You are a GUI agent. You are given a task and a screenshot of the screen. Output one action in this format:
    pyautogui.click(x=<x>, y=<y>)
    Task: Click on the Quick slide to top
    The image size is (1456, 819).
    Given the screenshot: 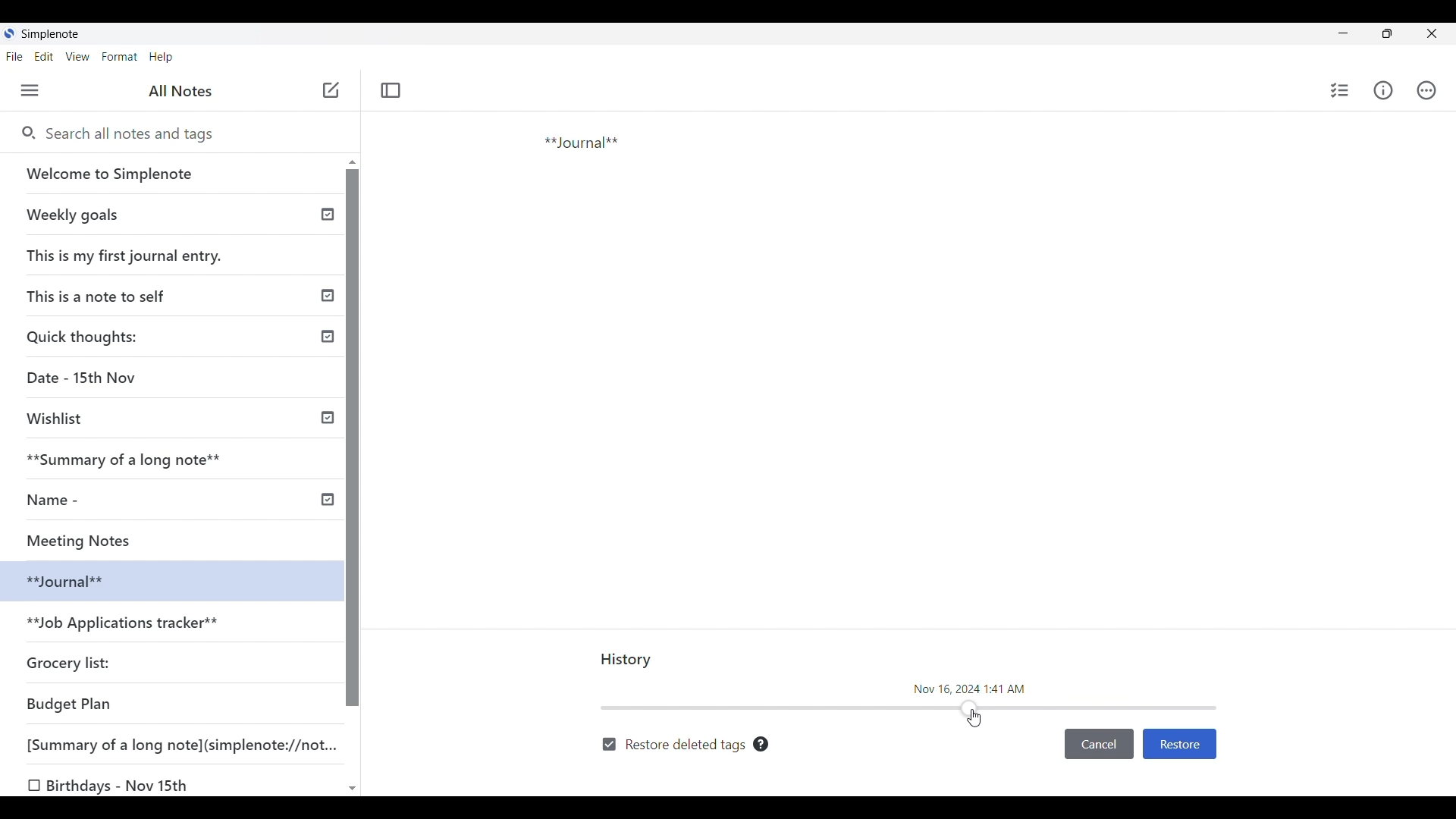 What is the action you would take?
    pyautogui.click(x=353, y=162)
    